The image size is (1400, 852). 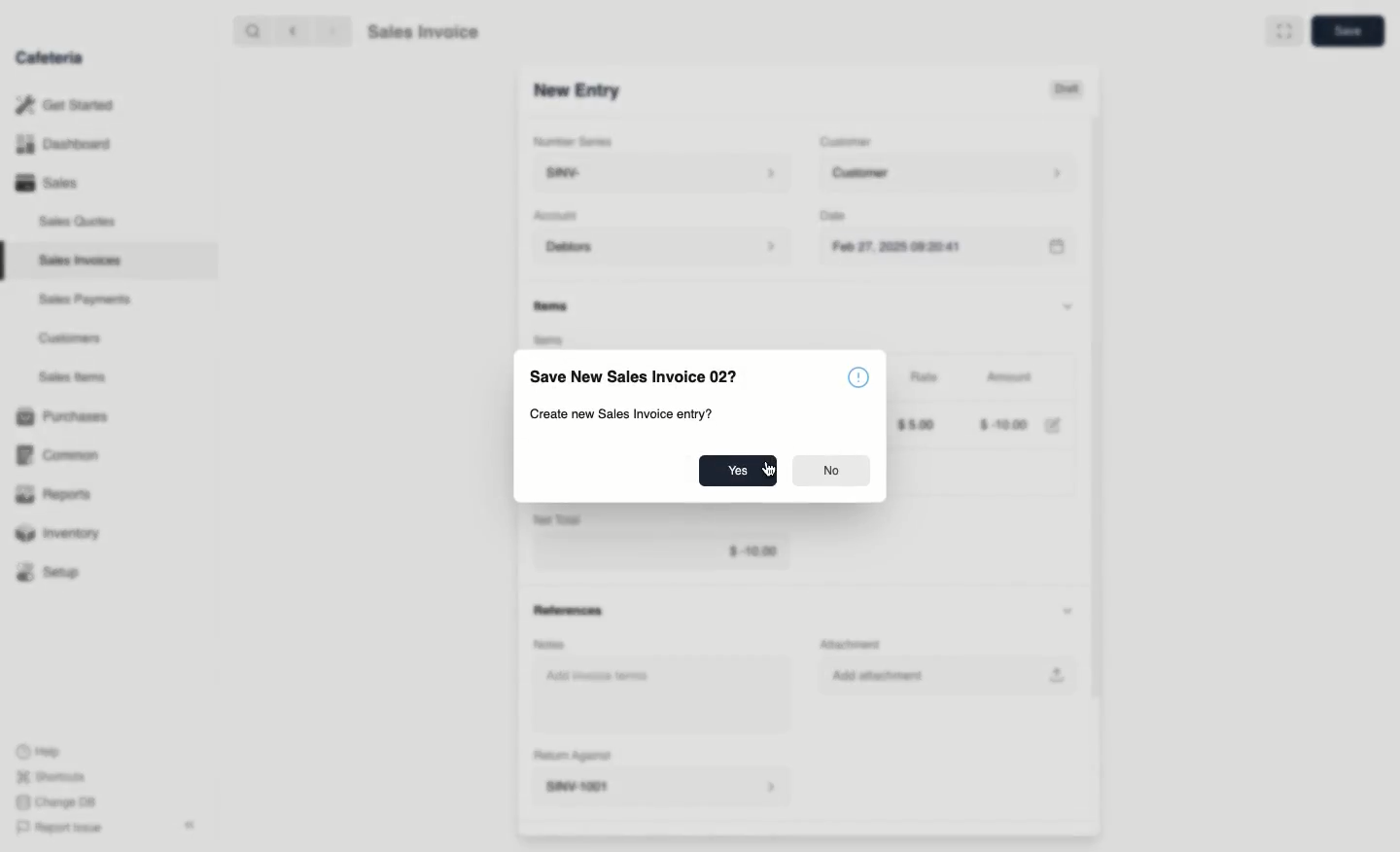 I want to click on Save, so click(x=1348, y=29).